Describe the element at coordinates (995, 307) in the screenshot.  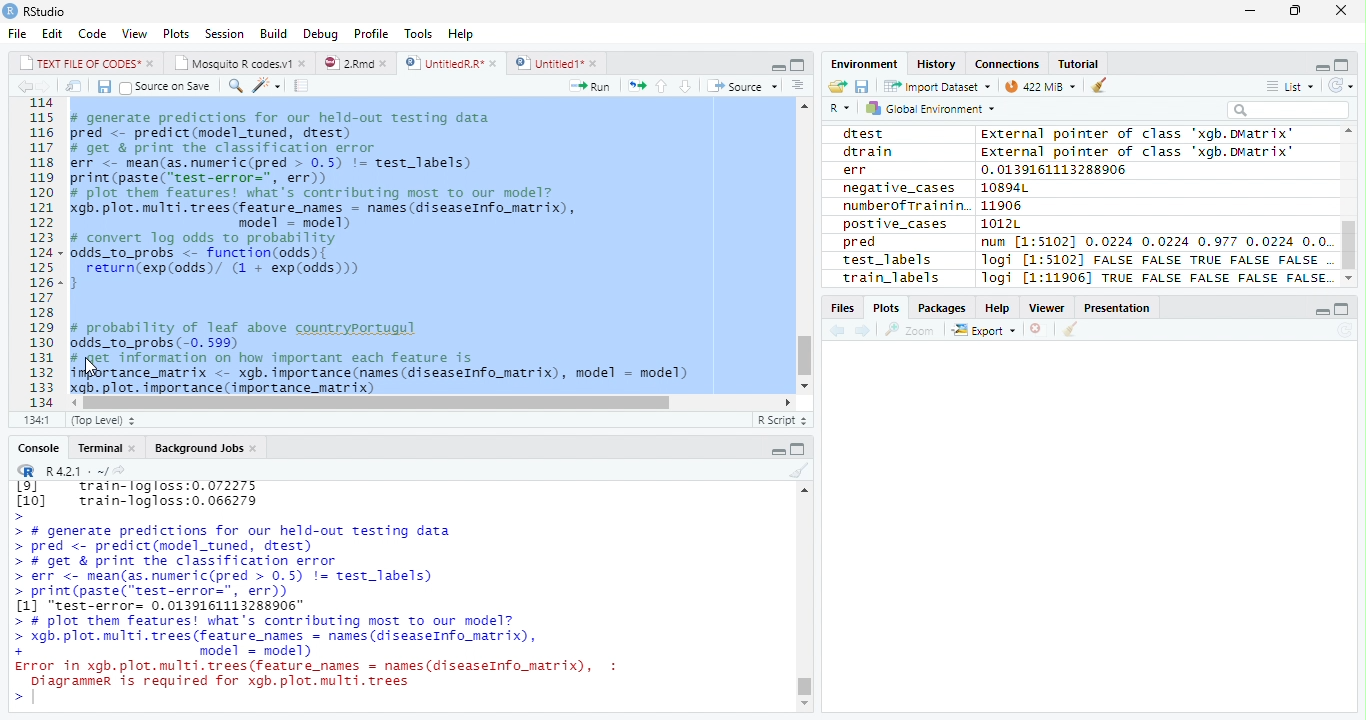
I see `Help` at that location.